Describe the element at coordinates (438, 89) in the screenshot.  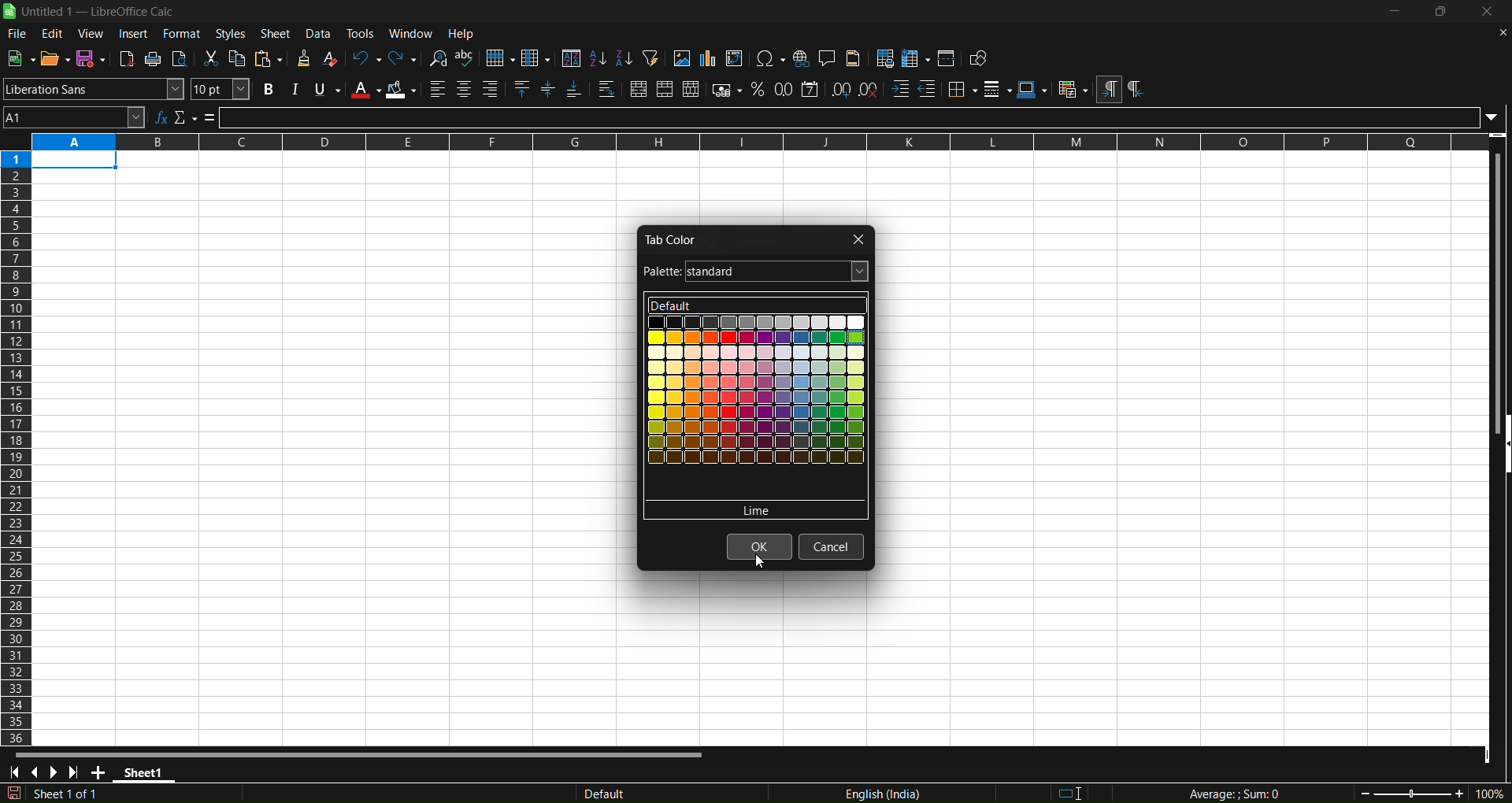
I see `align left` at that location.